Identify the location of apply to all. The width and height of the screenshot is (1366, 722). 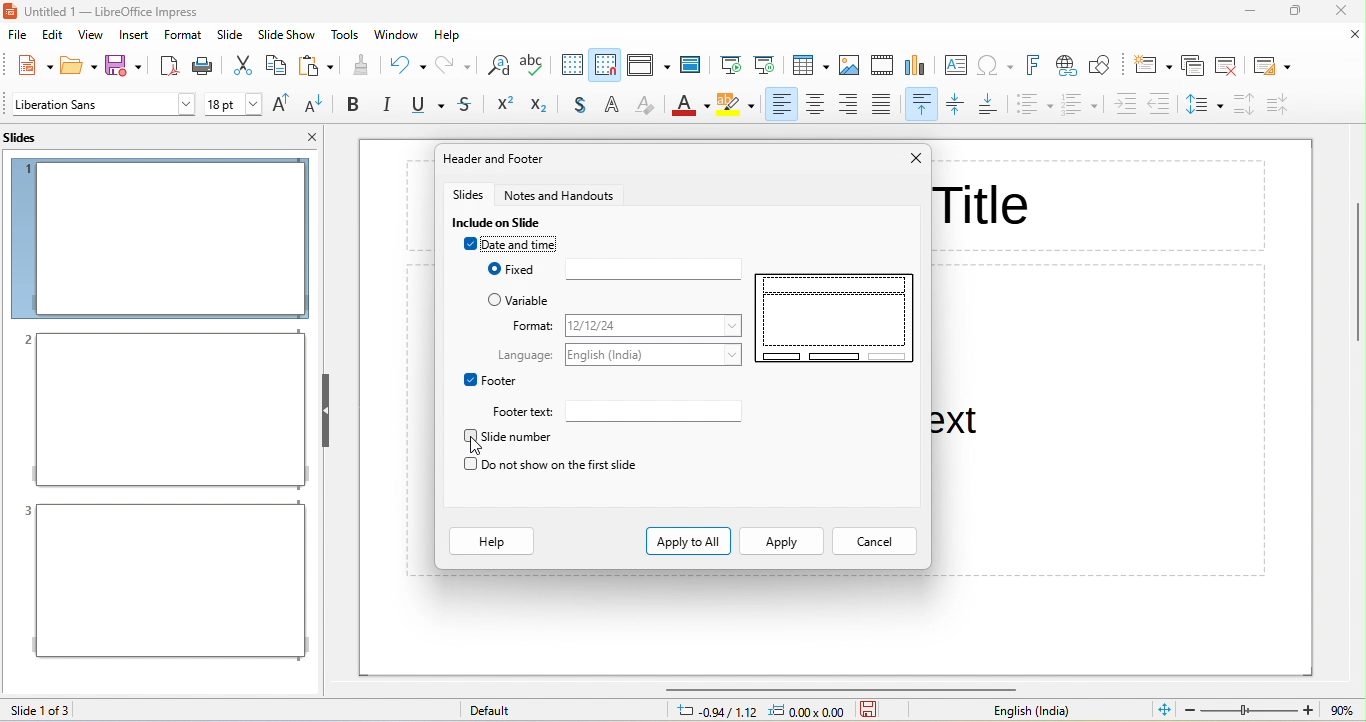
(689, 540).